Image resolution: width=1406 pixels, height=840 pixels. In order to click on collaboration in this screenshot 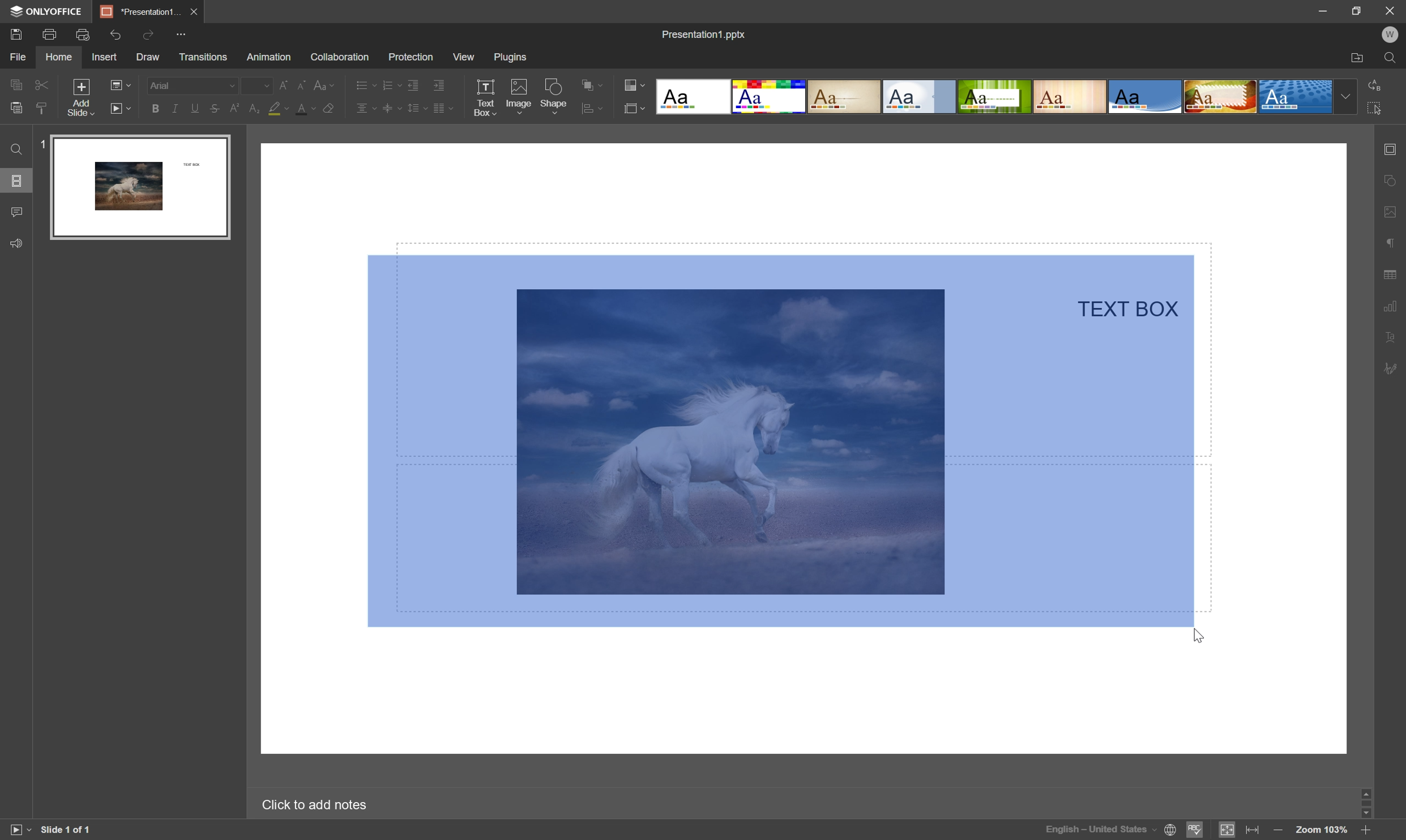, I will do `click(342, 58)`.